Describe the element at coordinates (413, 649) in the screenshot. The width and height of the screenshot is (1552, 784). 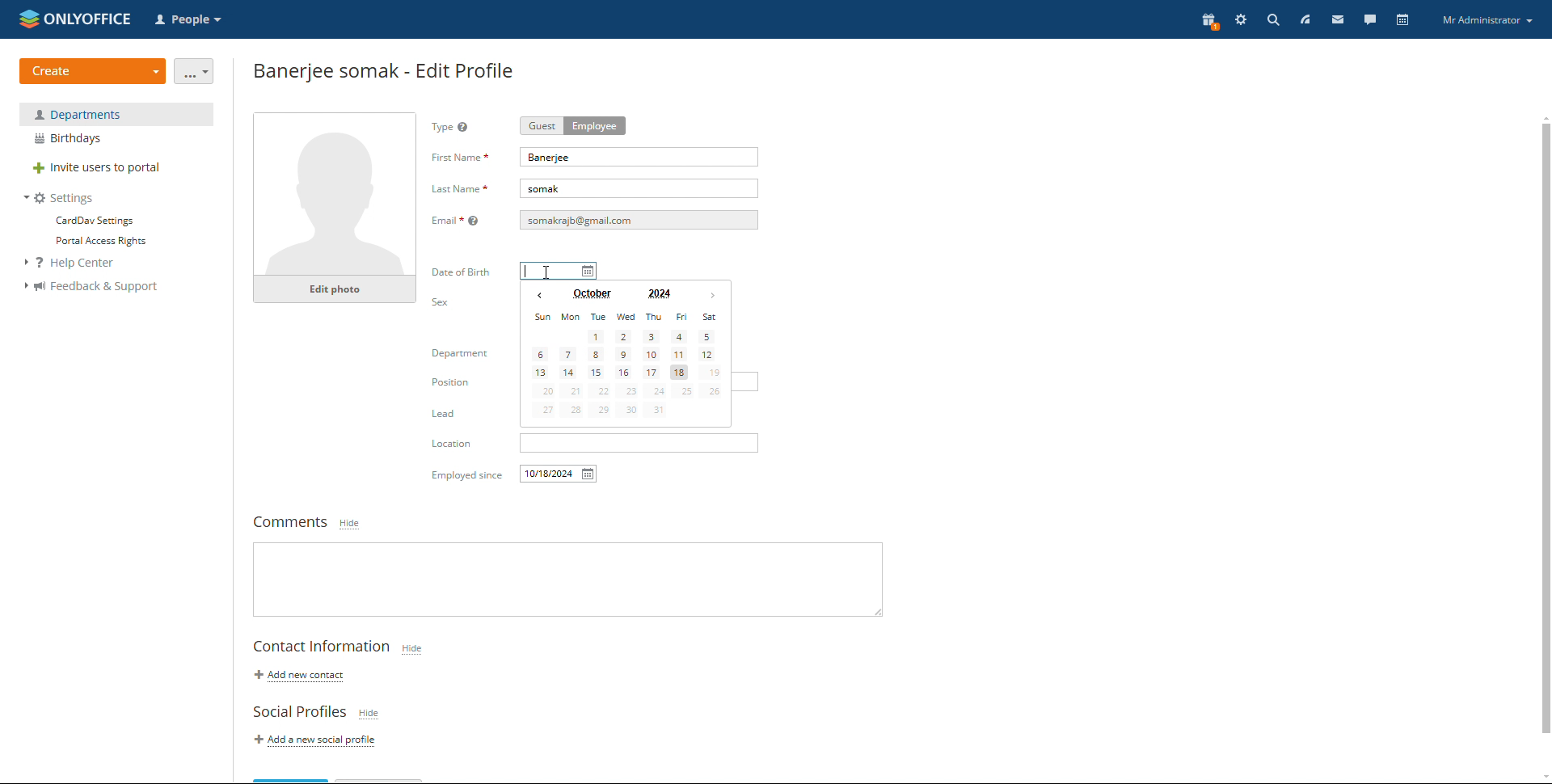
I see `hide` at that location.